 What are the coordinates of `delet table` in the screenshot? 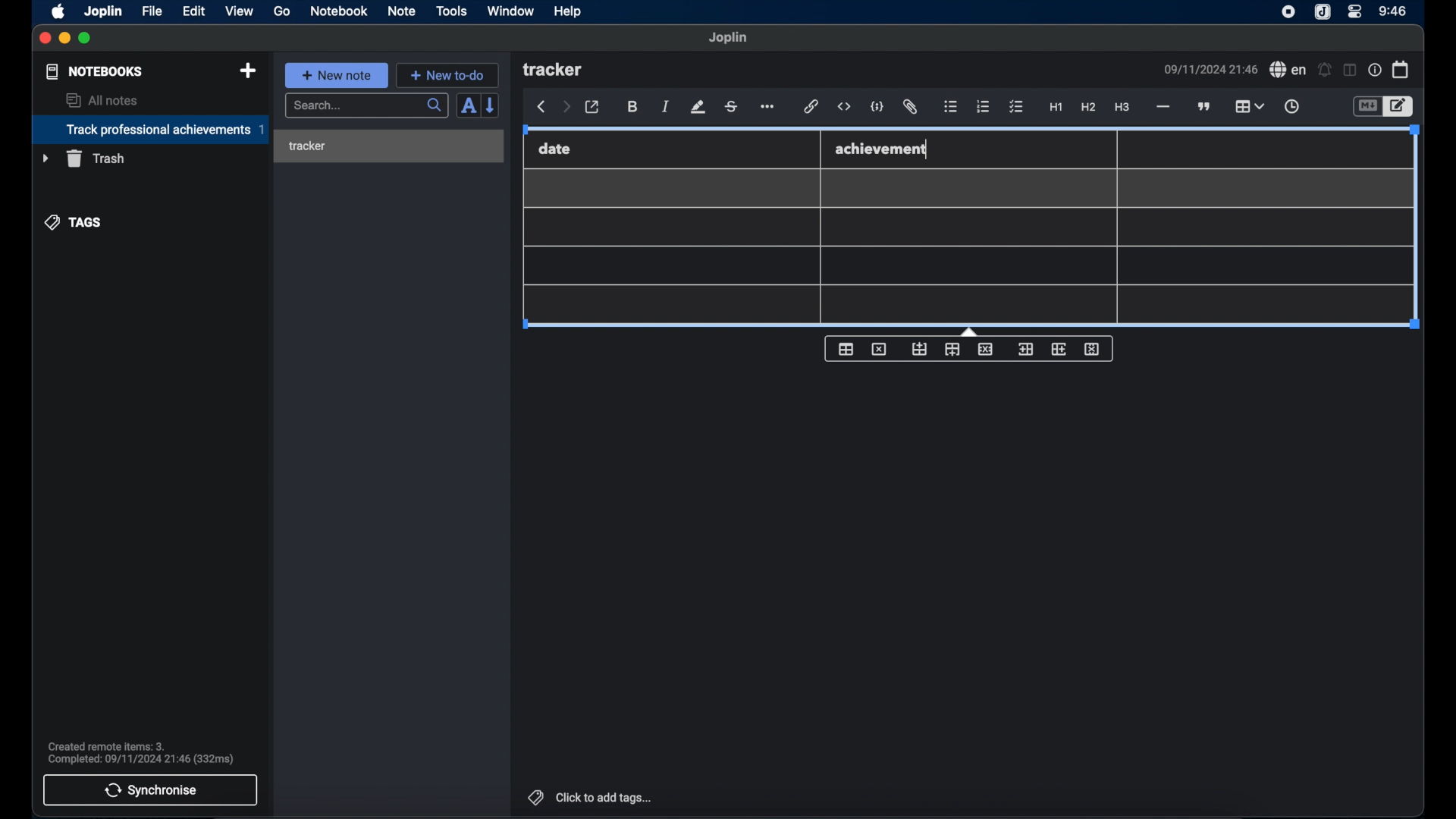 It's located at (879, 348).